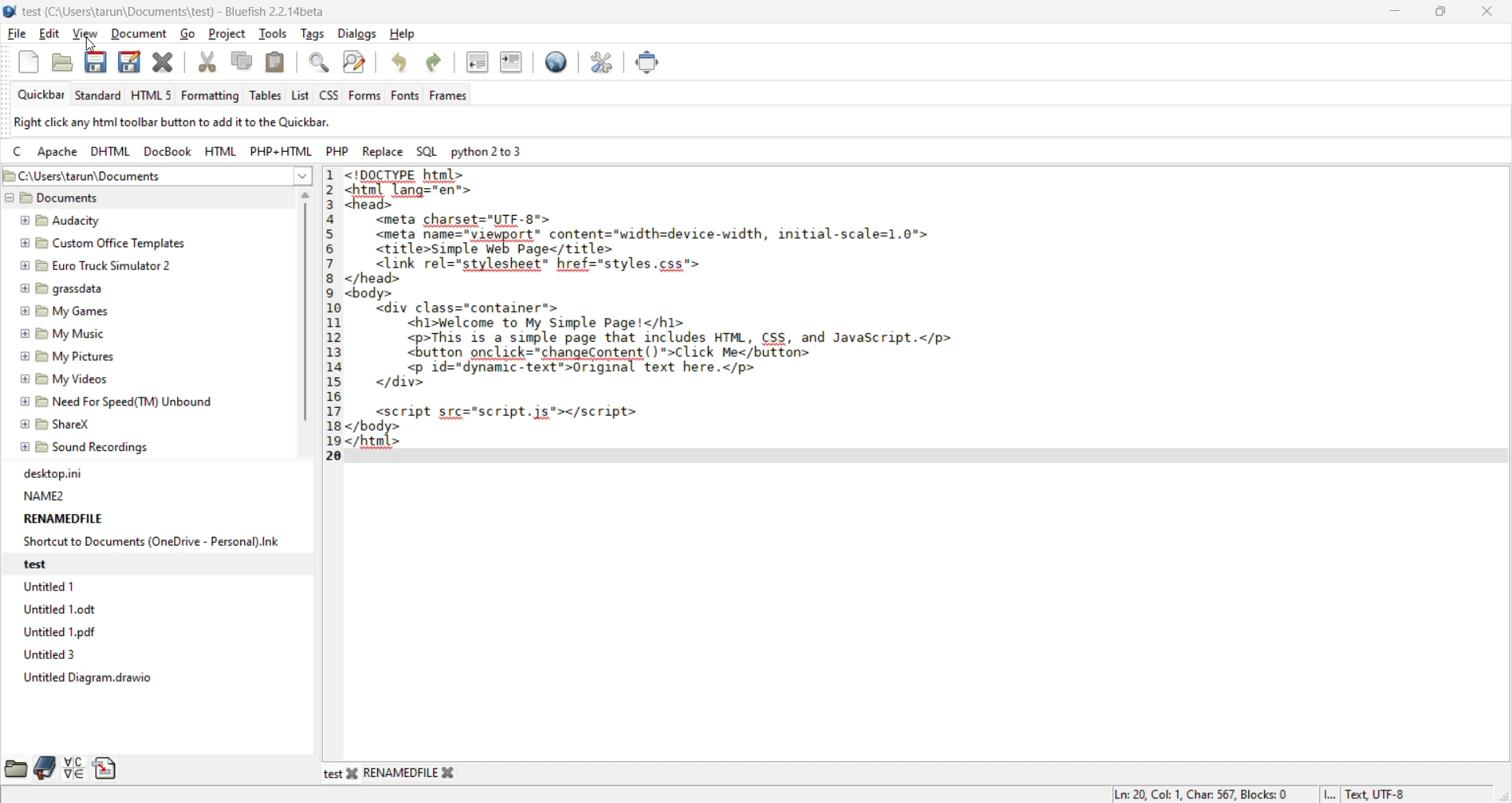 This screenshot has height=803, width=1512. Describe the element at coordinates (333, 94) in the screenshot. I see `css` at that location.